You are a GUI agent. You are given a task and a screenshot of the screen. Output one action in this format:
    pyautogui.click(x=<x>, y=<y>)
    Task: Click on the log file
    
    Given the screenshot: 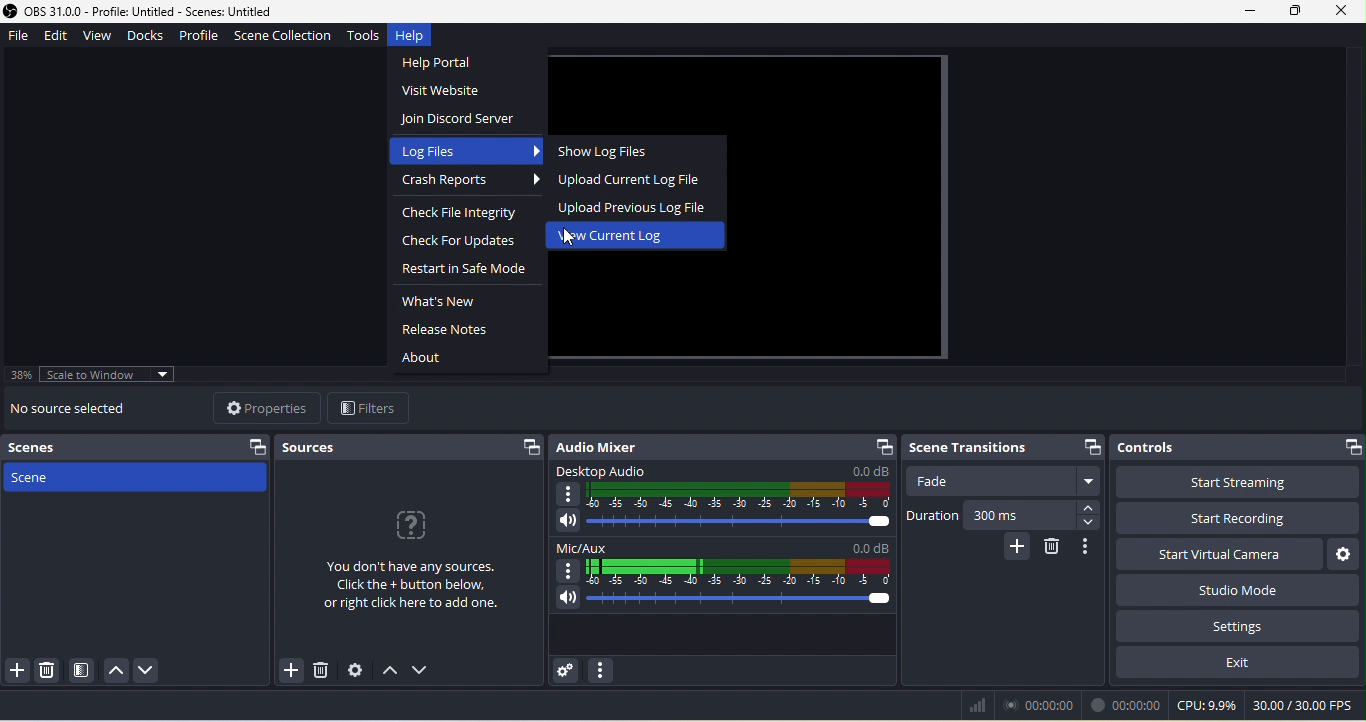 What is the action you would take?
    pyautogui.click(x=463, y=151)
    